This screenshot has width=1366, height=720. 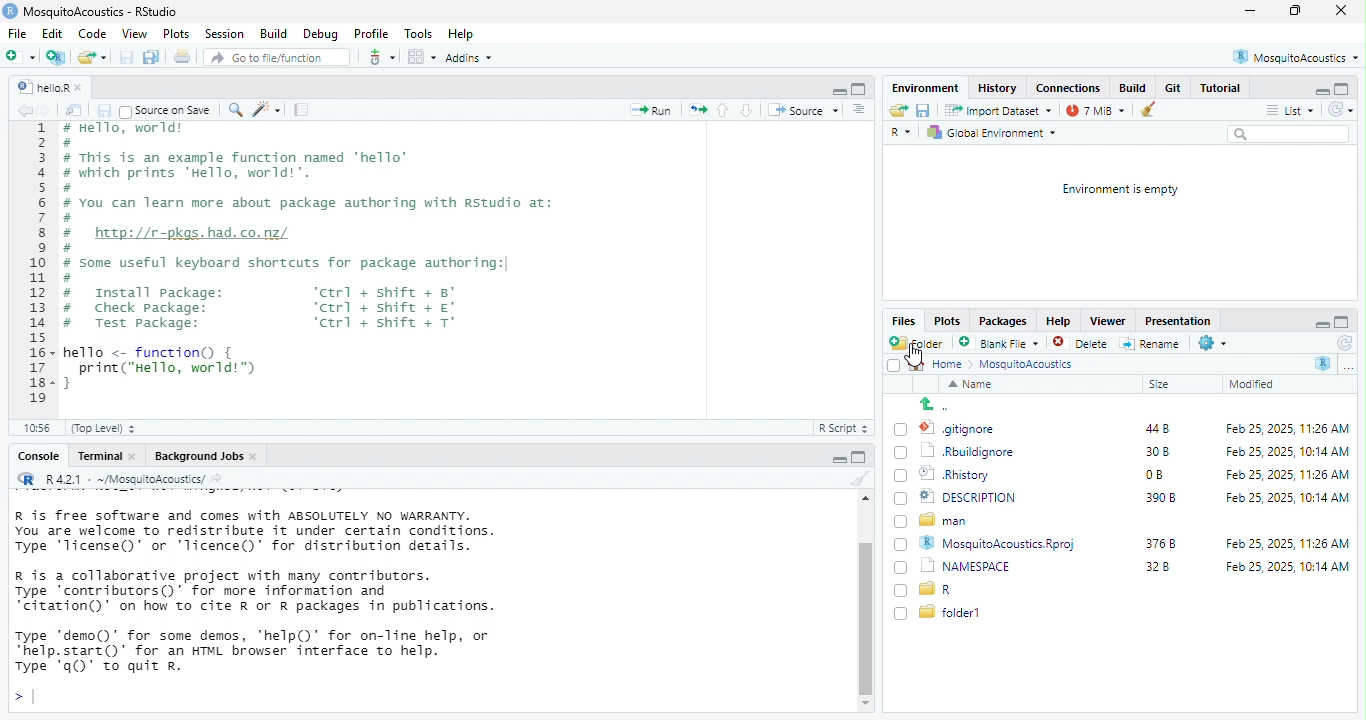 I want to click on hide r script, so click(x=1320, y=322).